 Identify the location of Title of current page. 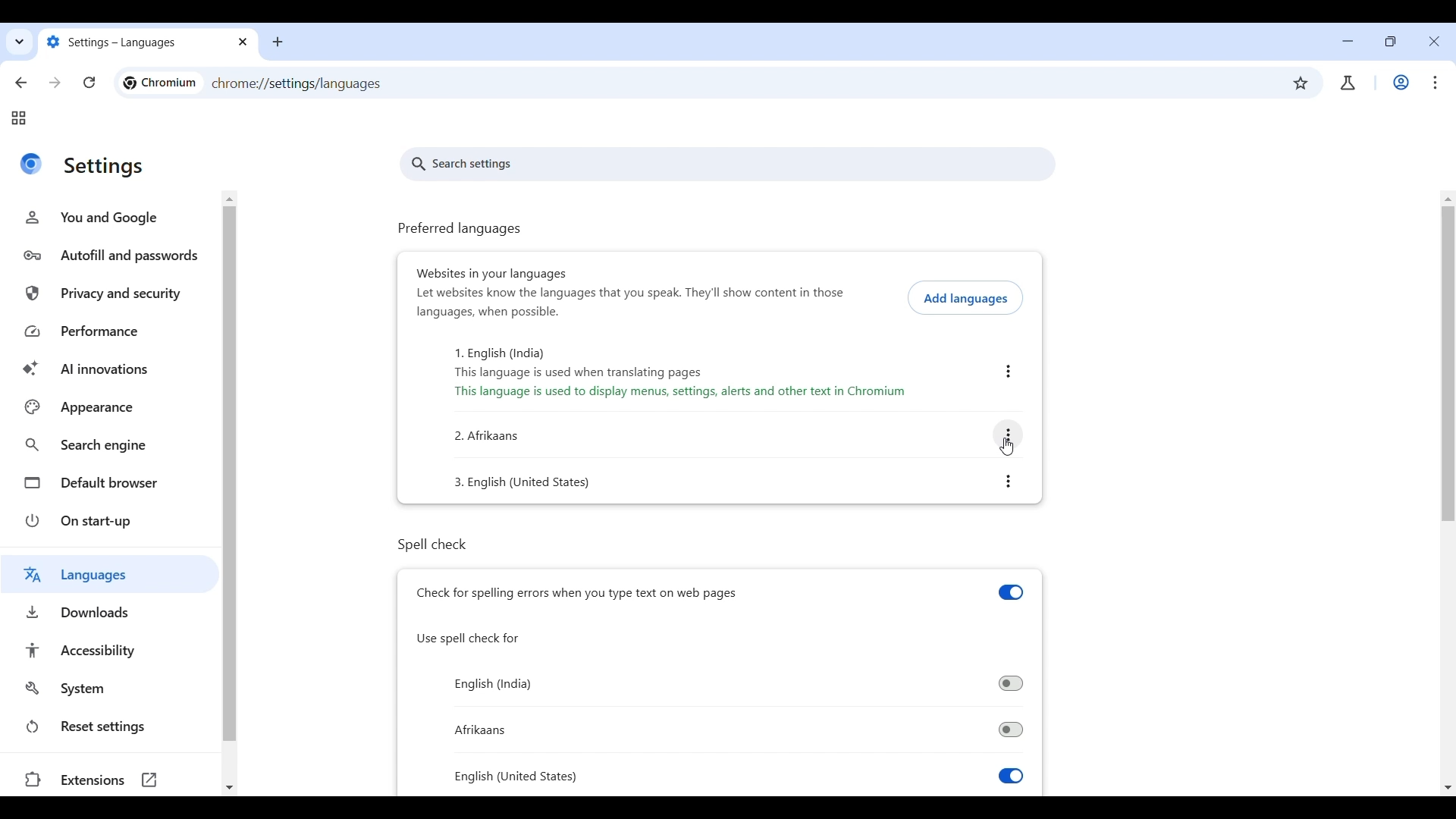
(105, 168).